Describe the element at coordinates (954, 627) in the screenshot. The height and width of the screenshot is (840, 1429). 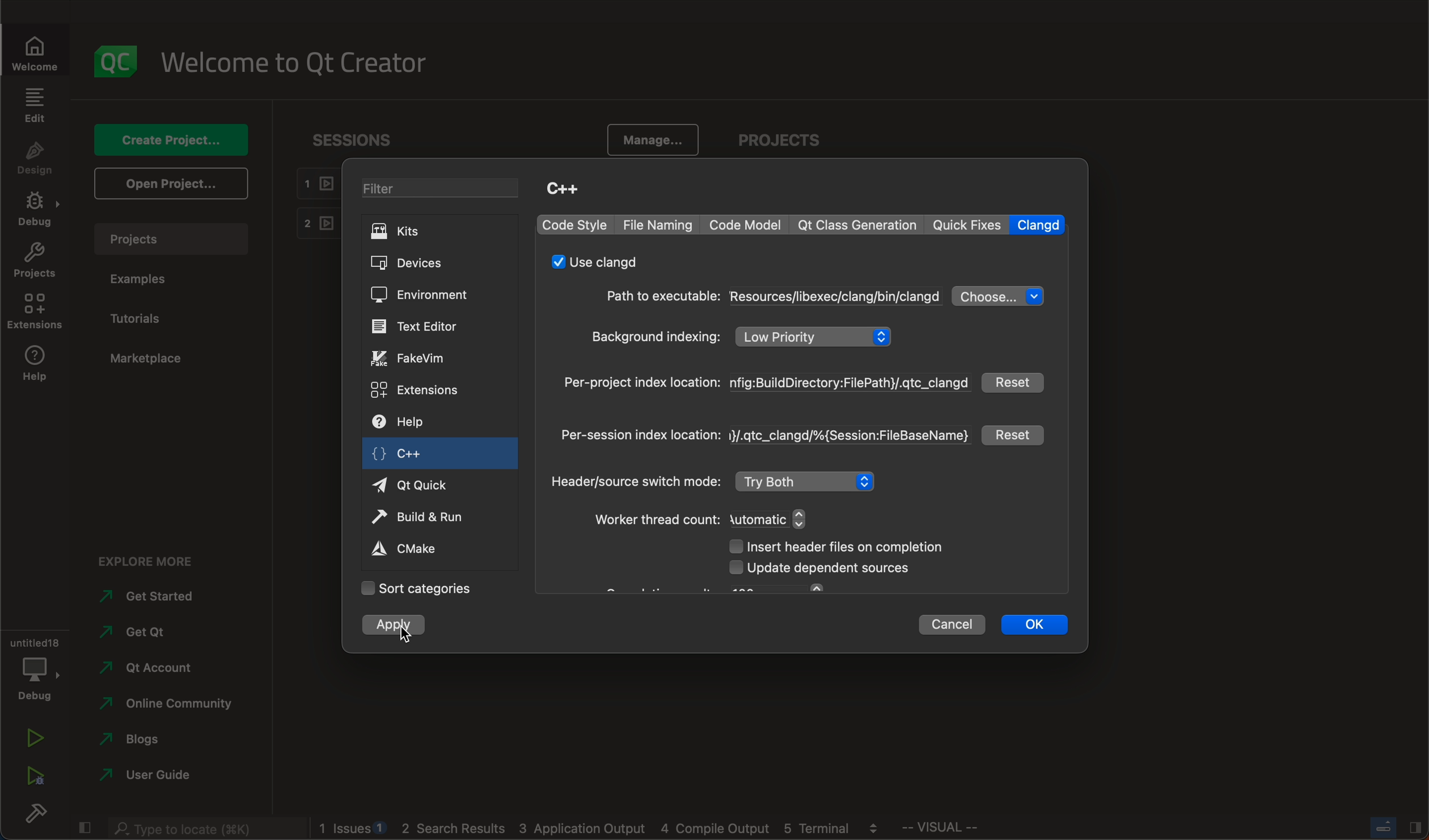
I see `cancel` at that location.